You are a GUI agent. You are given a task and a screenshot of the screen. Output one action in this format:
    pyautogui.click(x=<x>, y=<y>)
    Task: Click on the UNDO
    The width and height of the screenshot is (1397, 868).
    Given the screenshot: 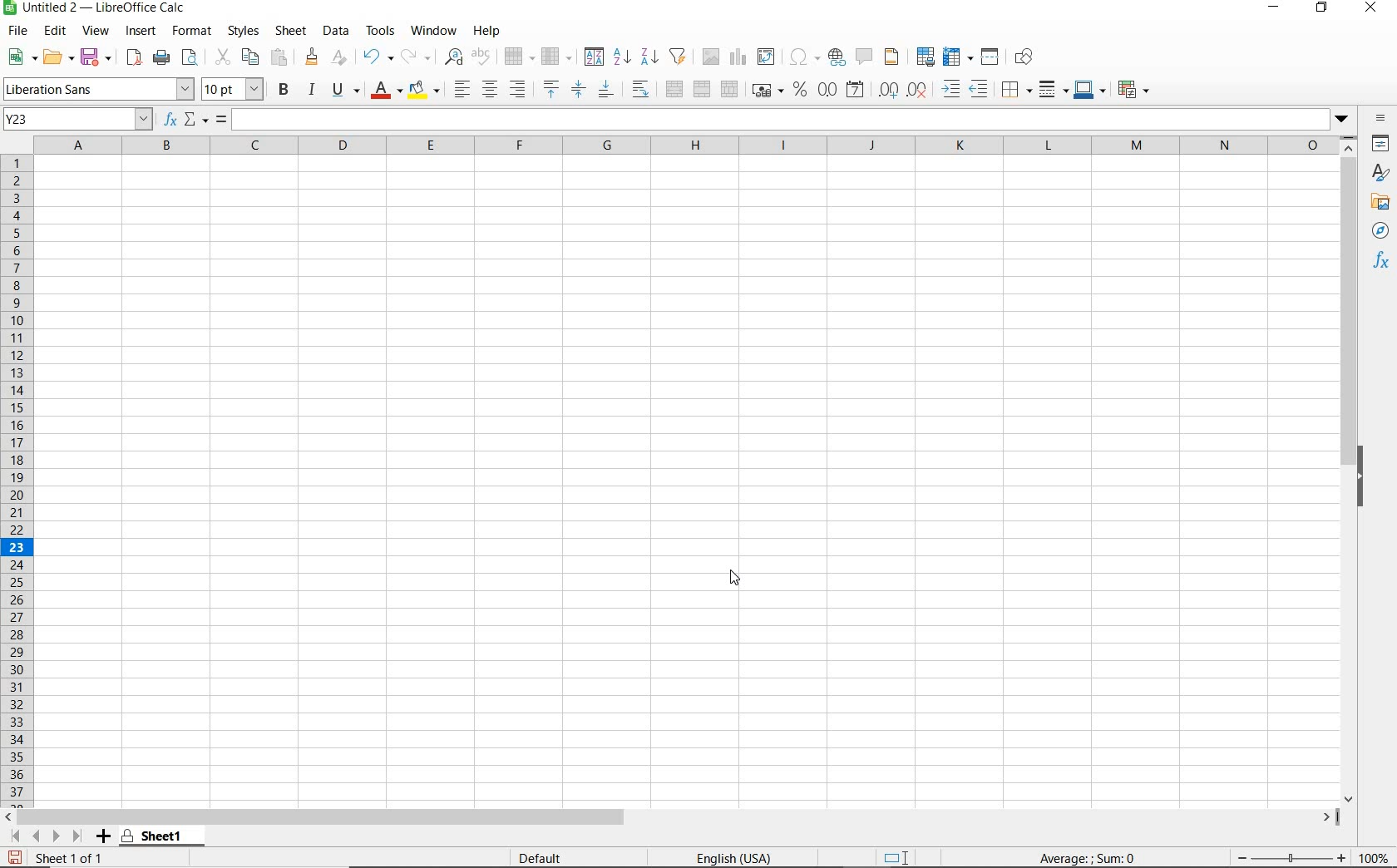 What is the action you would take?
    pyautogui.click(x=376, y=58)
    